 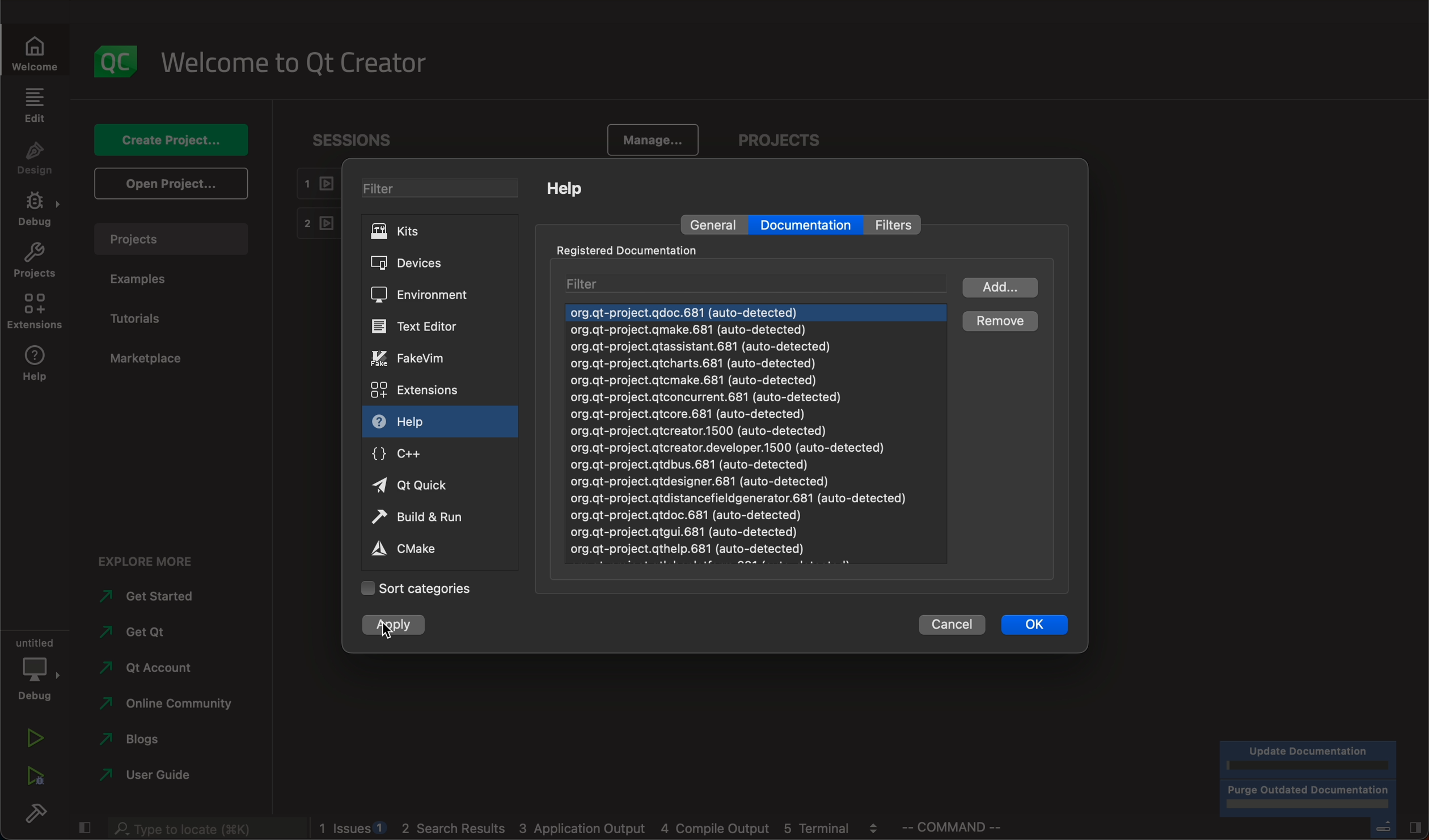 I want to click on projects, so click(x=34, y=259).